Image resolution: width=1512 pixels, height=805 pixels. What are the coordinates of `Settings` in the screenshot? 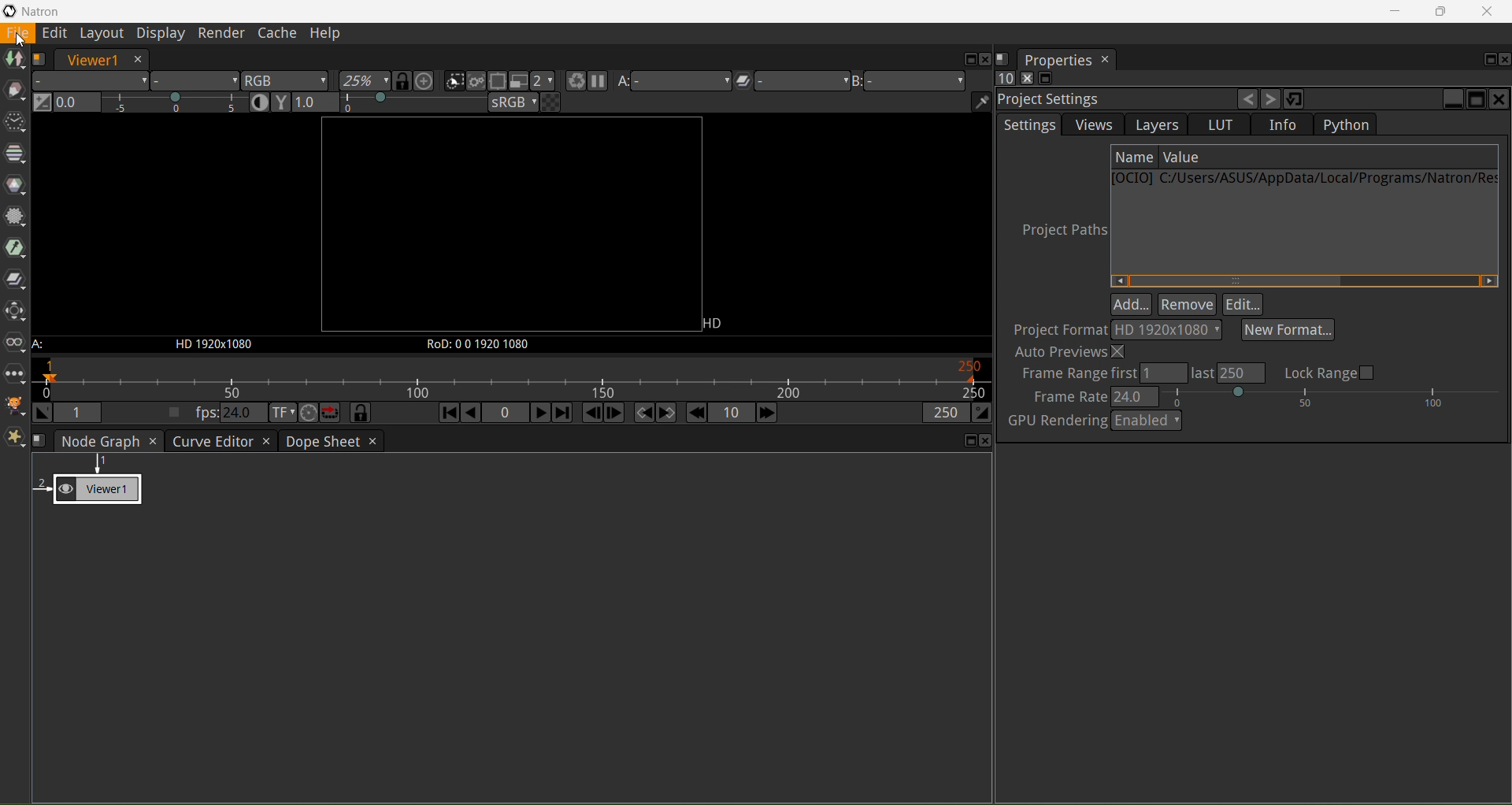 It's located at (1029, 124).